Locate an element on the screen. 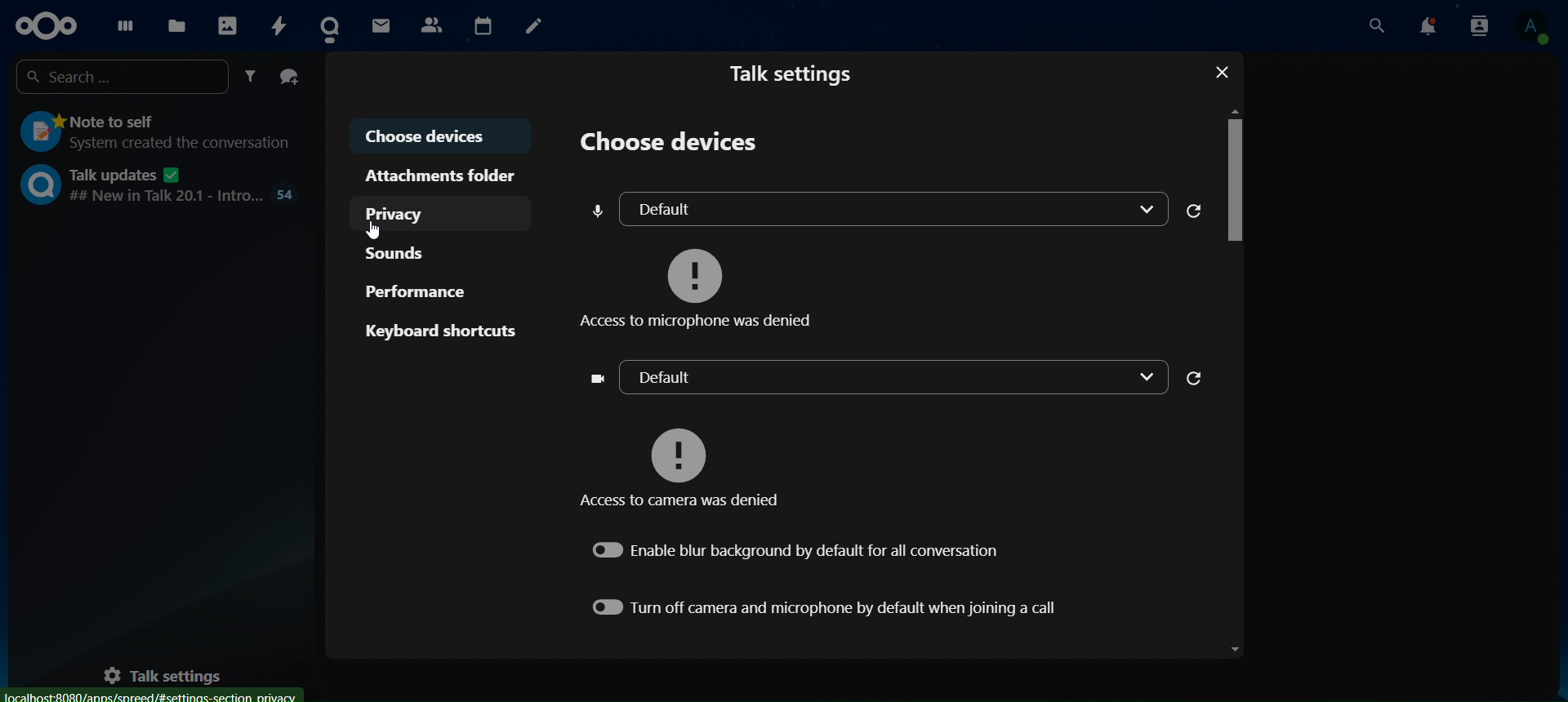 The width and height of the screenshot is (1568, 702). choose devices is located at coordinates (683, 143).